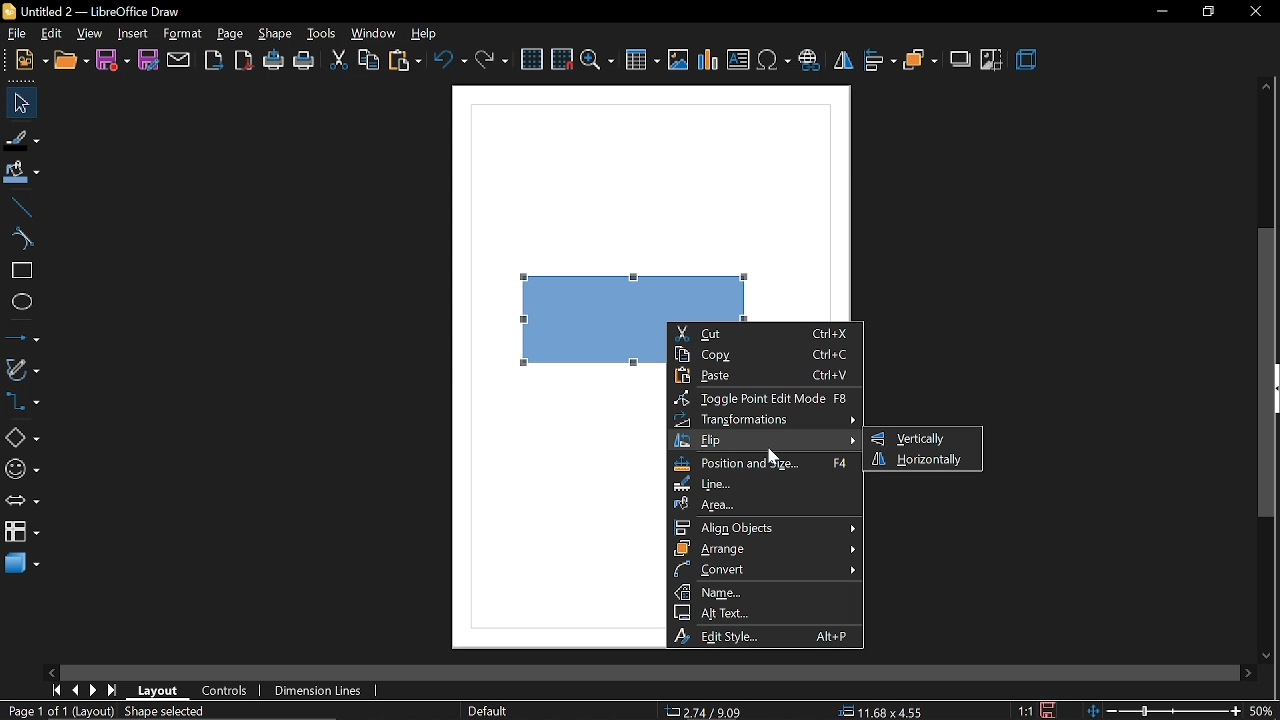 The width and height of the screenshot is (1280, 720). Describe the element at coordinates (20, 238) in the screenshot. I see `curve` at that location.